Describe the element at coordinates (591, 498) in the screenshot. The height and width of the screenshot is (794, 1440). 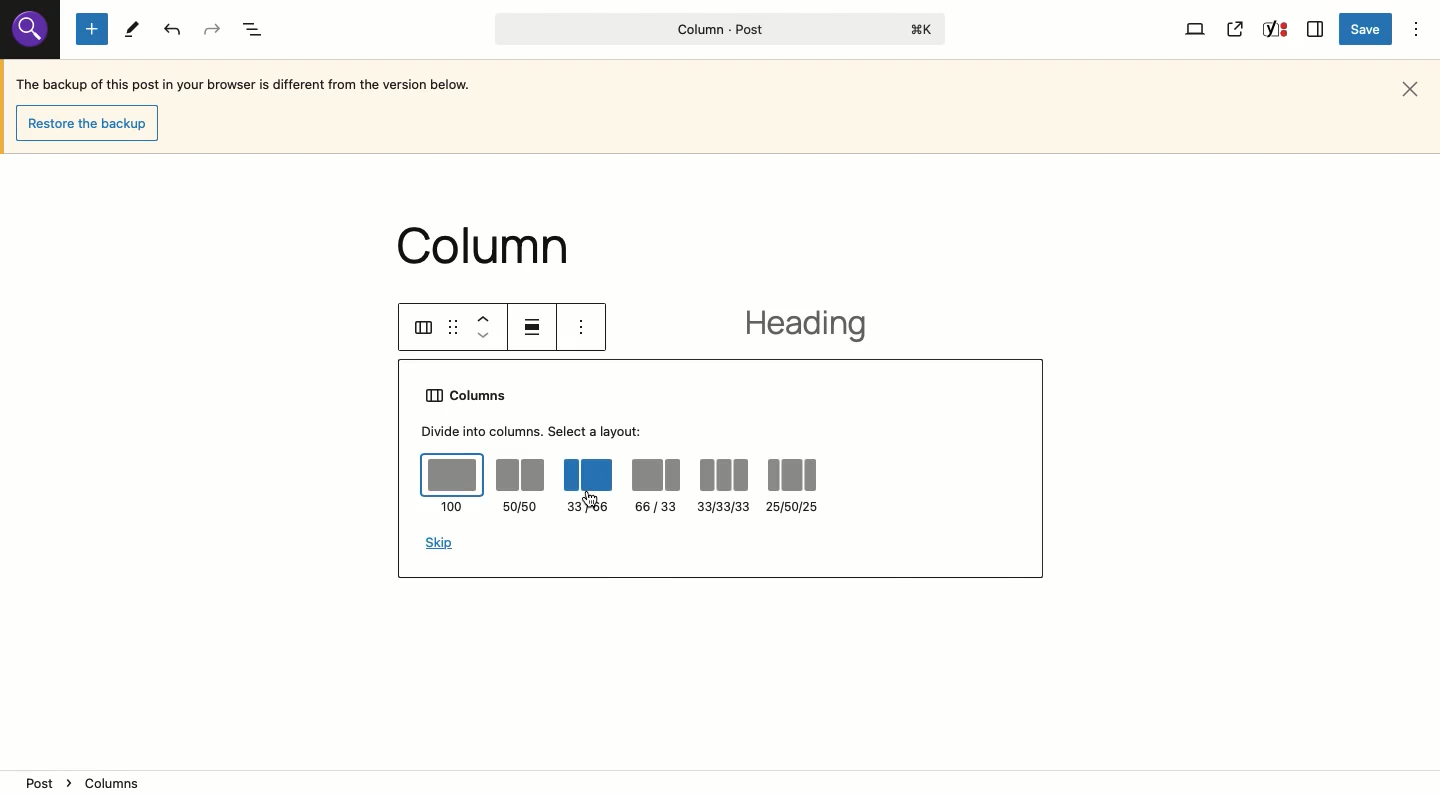
I see `cursor` at that location.